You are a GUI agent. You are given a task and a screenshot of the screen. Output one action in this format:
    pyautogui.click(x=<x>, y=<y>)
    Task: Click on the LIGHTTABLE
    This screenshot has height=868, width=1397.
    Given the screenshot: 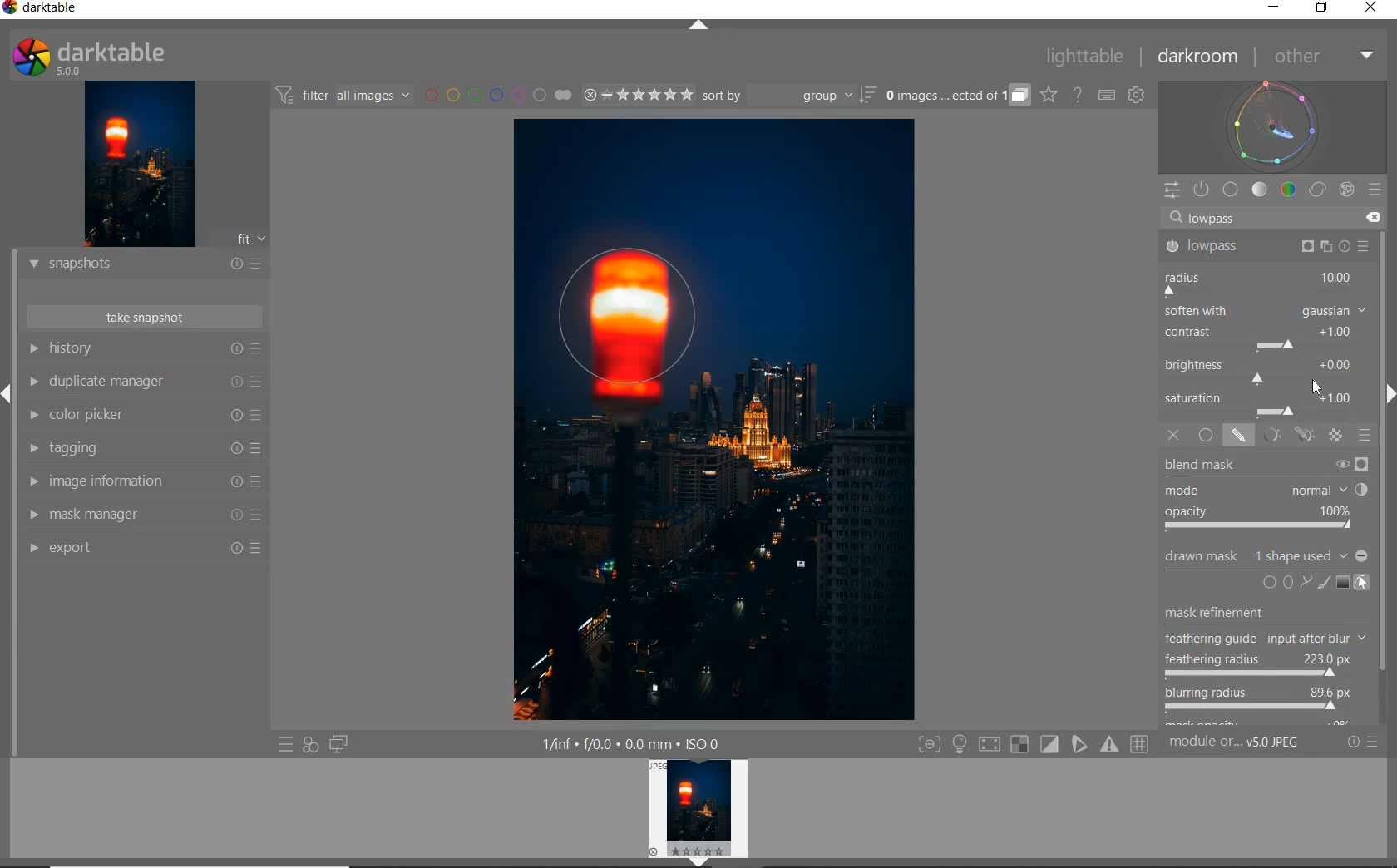 What is the action you would take?
    pyautogui.click(x=1087, y=55)
    